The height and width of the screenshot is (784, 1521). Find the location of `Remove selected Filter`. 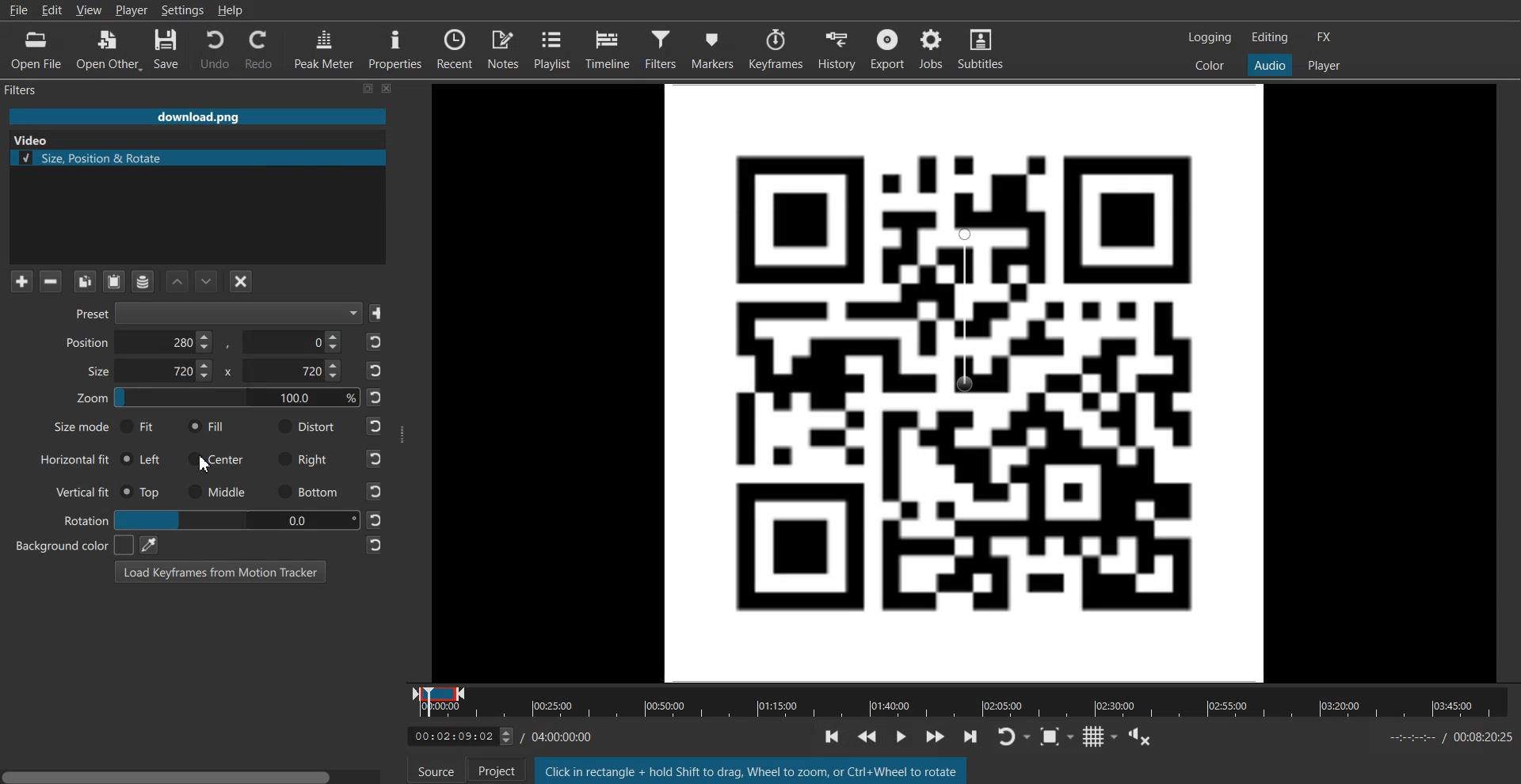

Remove selected Filter is located at coordinates (50, 281).